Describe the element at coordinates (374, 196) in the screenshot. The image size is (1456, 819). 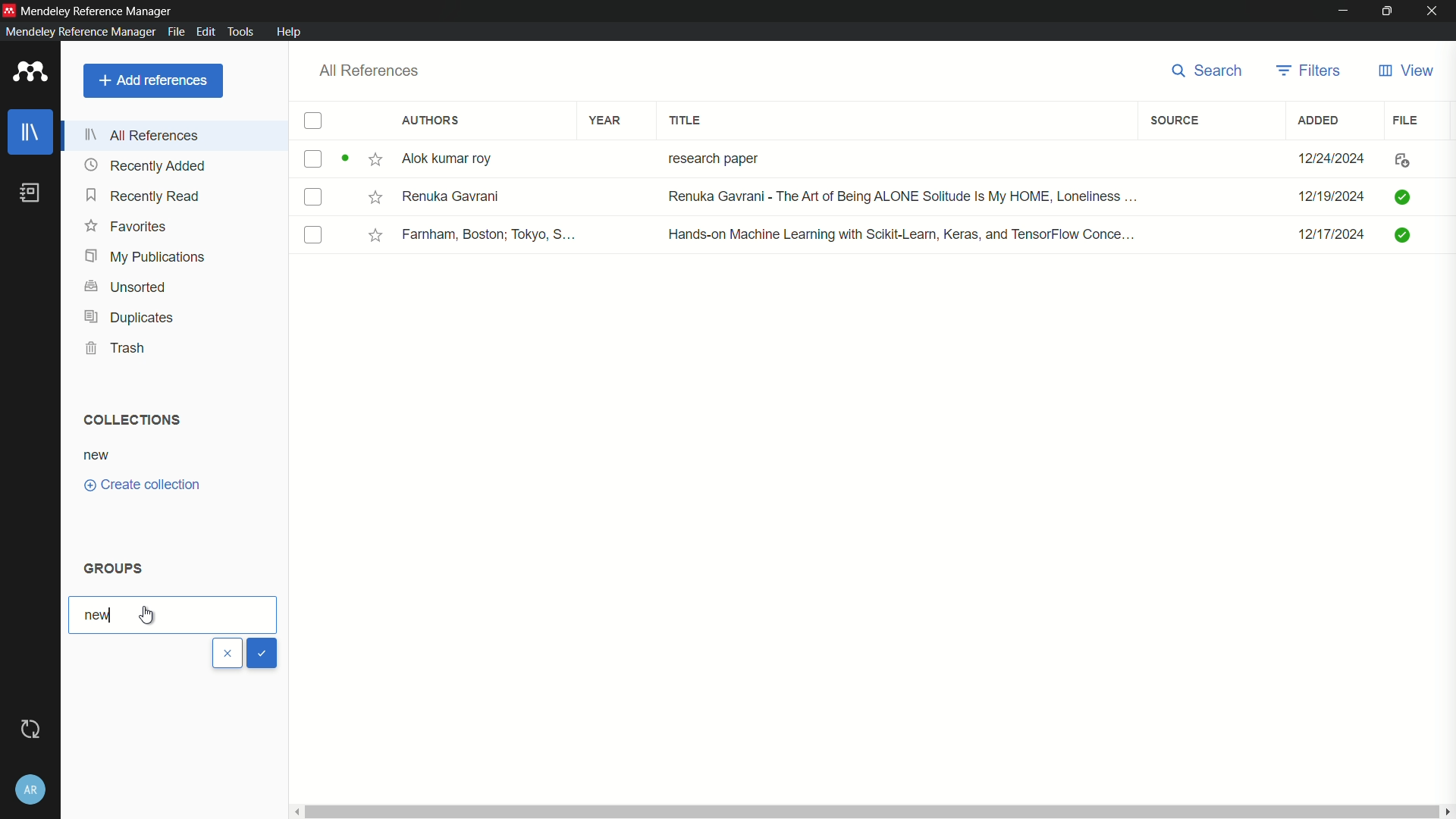
I see `Star` at that location.